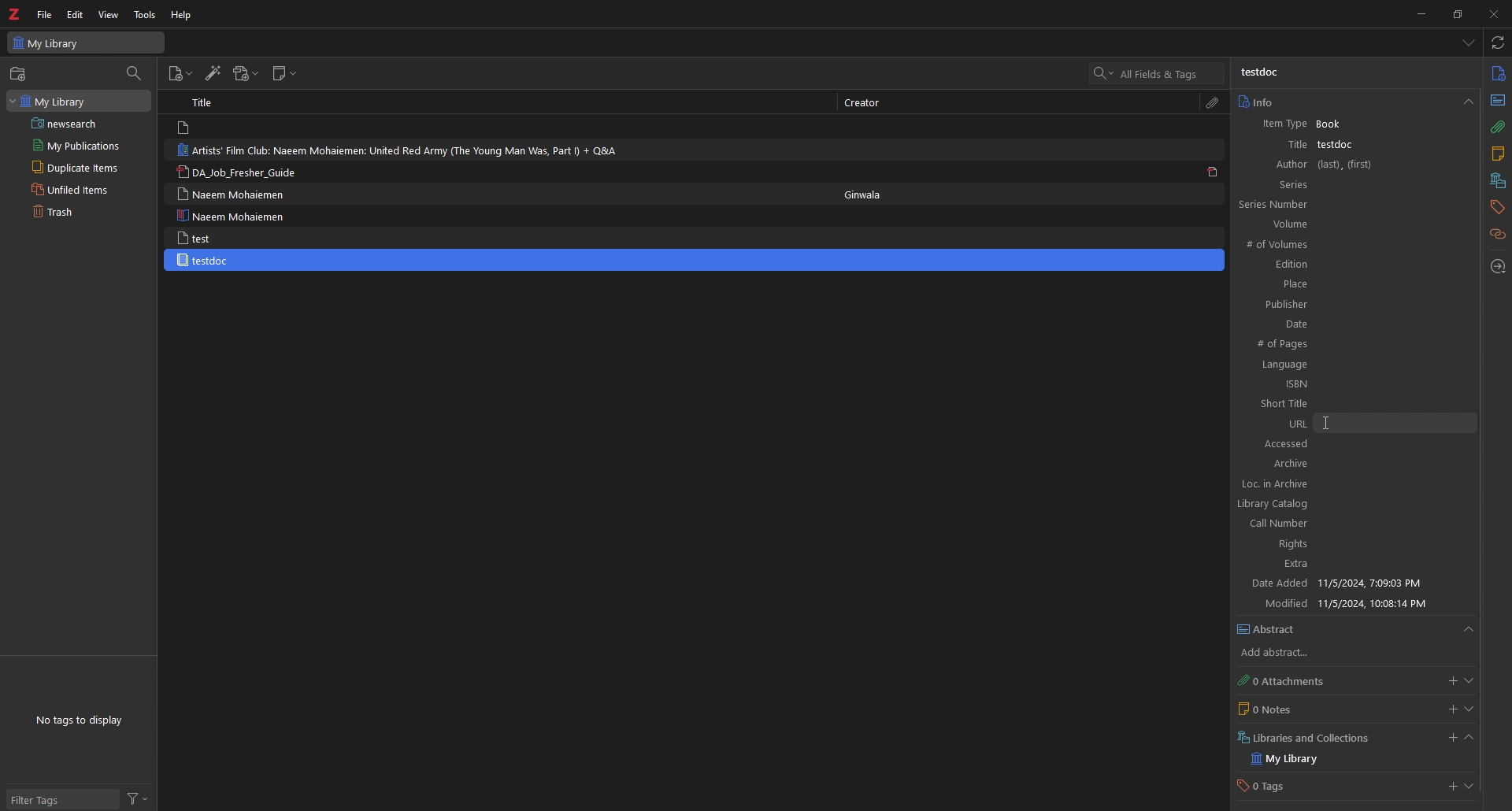  What do you see at coordinates (213, 73) in the screenshot?
I see `add items by identifier` at bounding box center [213, 73].